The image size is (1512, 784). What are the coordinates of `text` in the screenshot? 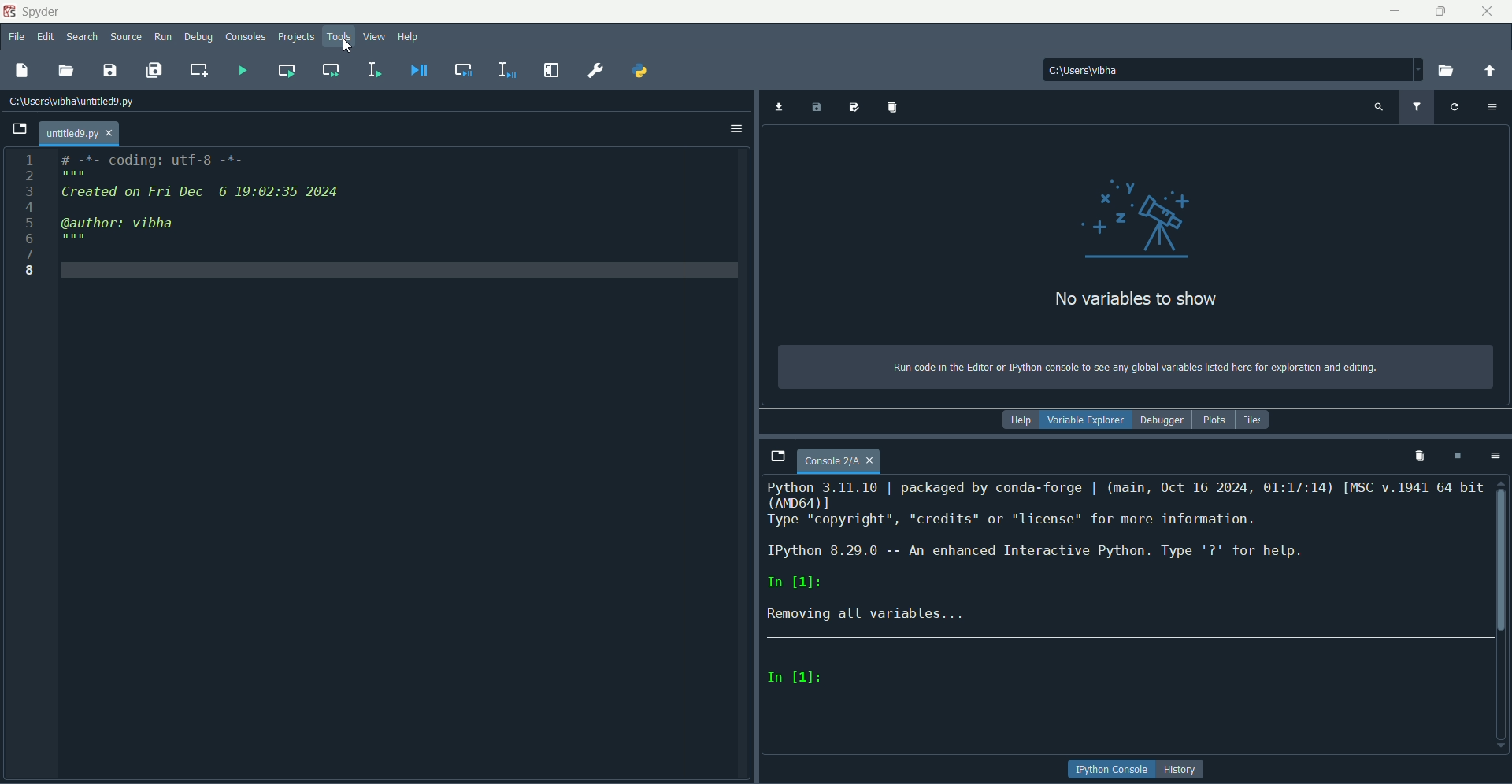 It's located at (1133, 368).